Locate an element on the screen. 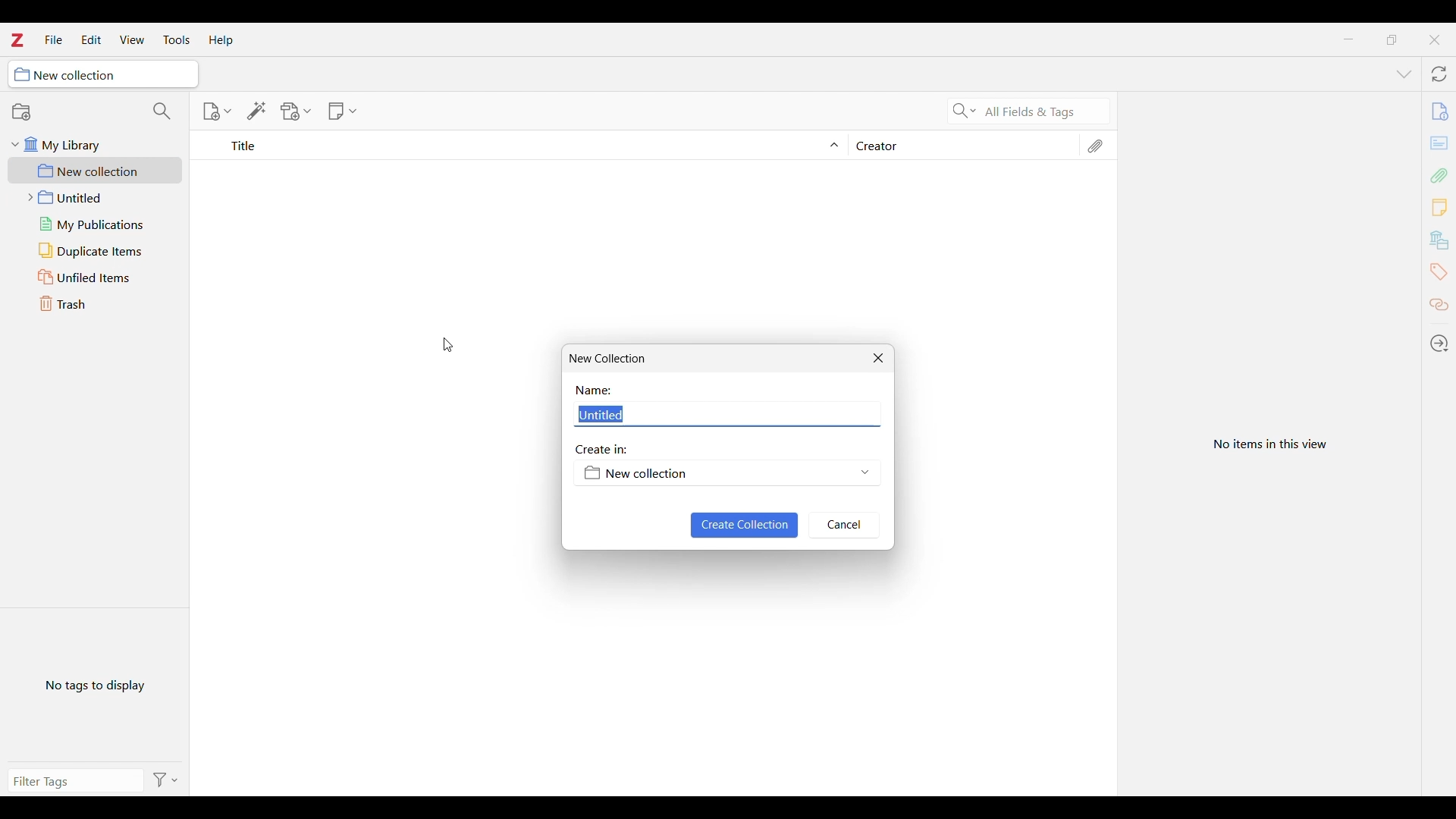 This screenshot has width=1456, height=819. Untitled folder is located at coordinates (96, 197).